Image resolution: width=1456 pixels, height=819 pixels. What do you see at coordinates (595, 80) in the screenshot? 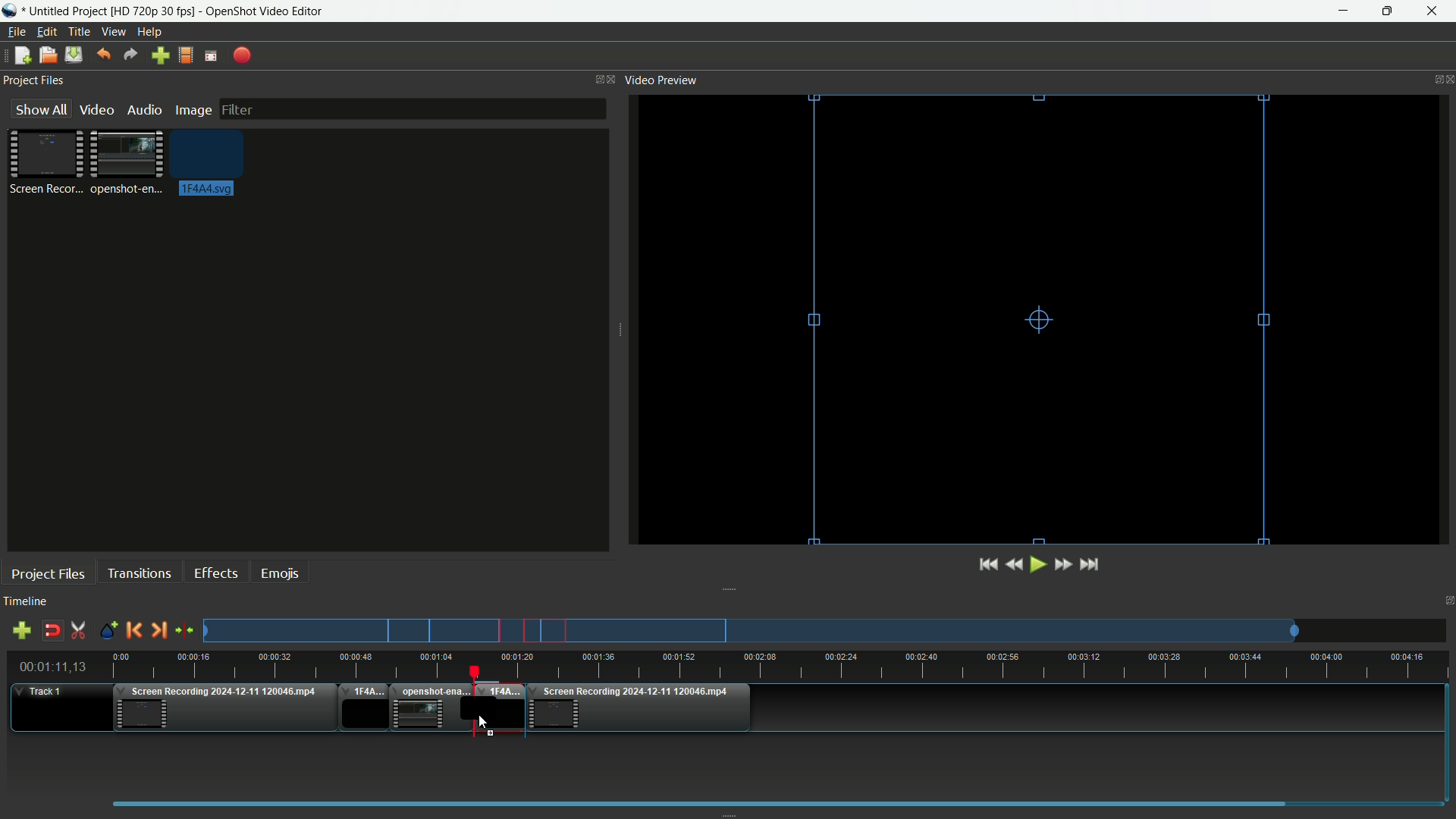
I see `Change layout` at bounding box center [595, 80].